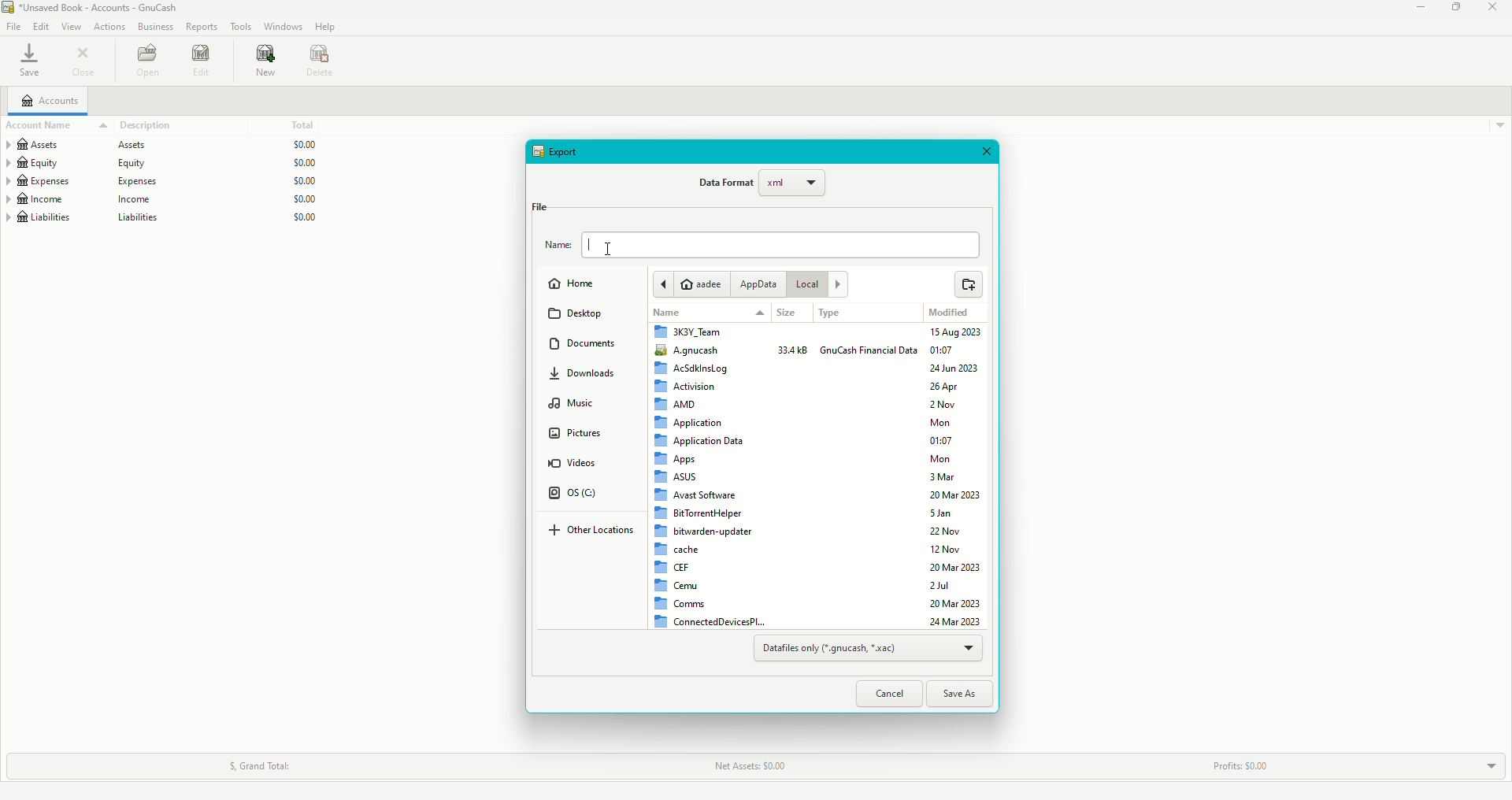 Image resolution: width=1512 pixels, height=800 pixels. Describe the element at coordinates (325, 27) in the screenshot. I see `Help` at that location.